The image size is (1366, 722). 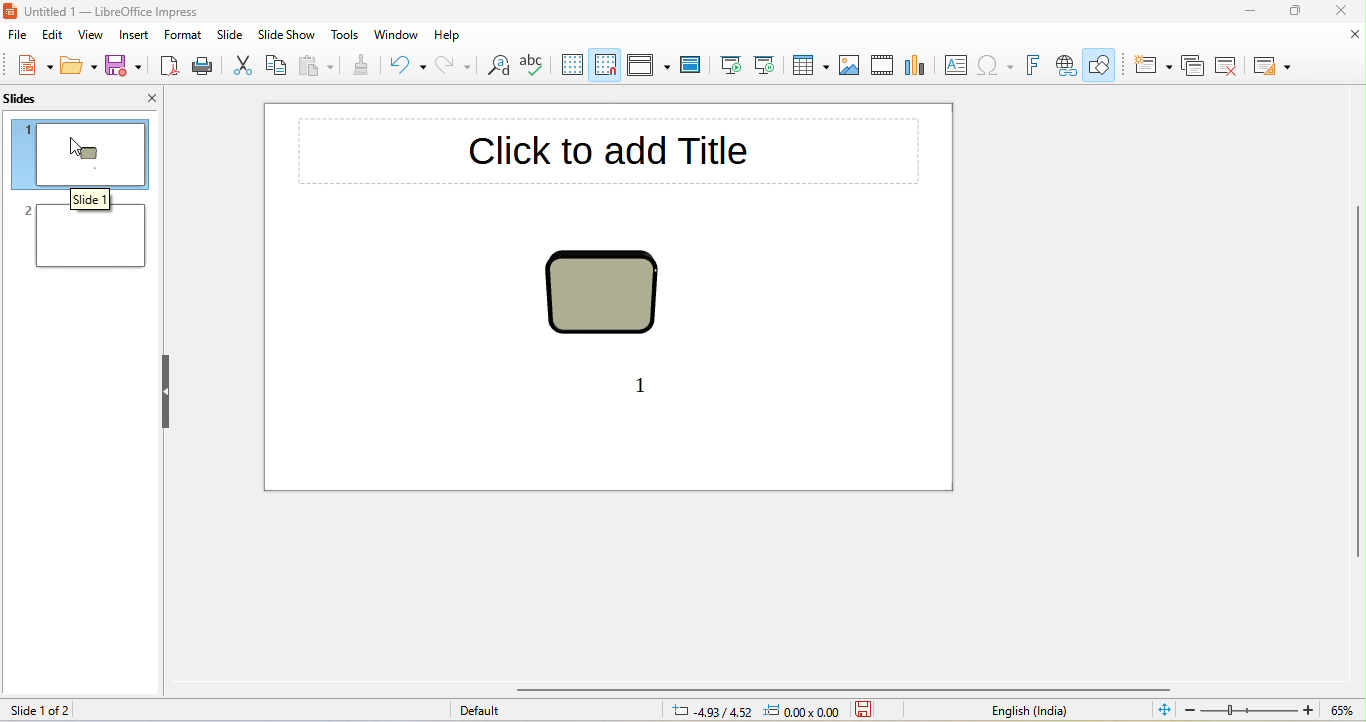 I want to click on slide layout, so click(x=1274, y=65).